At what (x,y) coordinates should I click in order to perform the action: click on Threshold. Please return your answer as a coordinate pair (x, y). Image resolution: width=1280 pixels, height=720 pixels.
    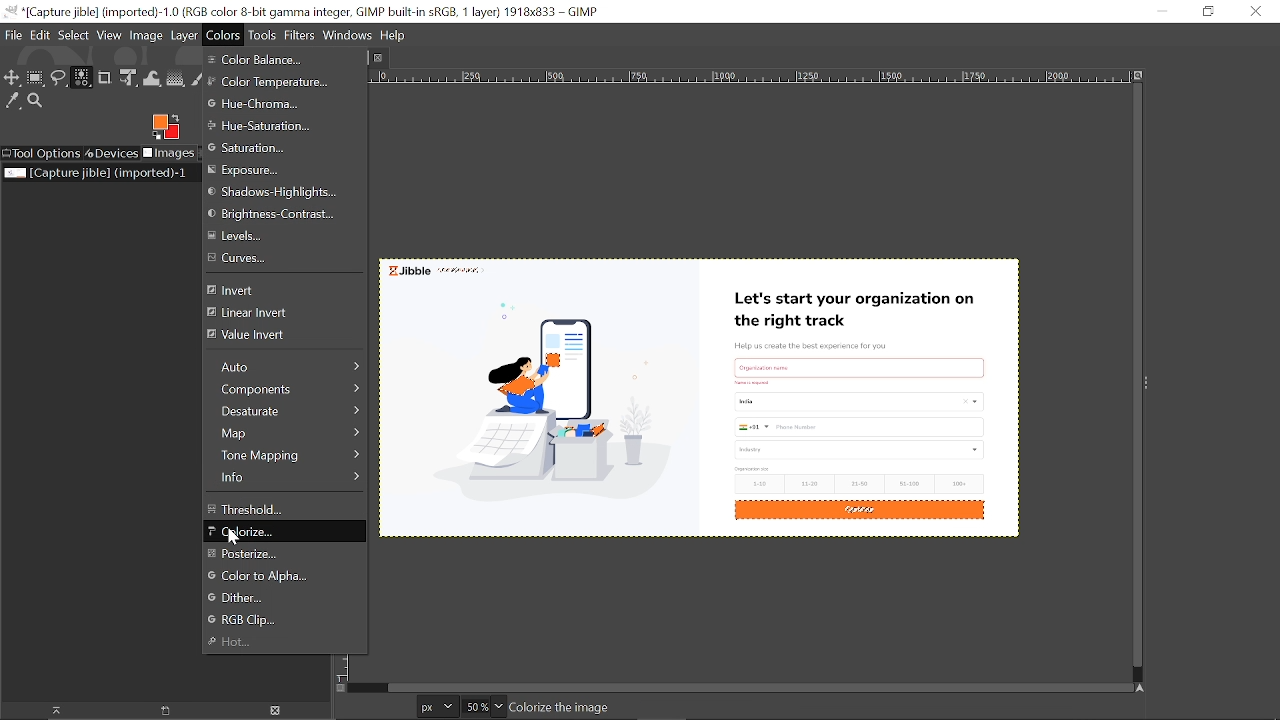
    Looking at the image, I should click on (286, 507).